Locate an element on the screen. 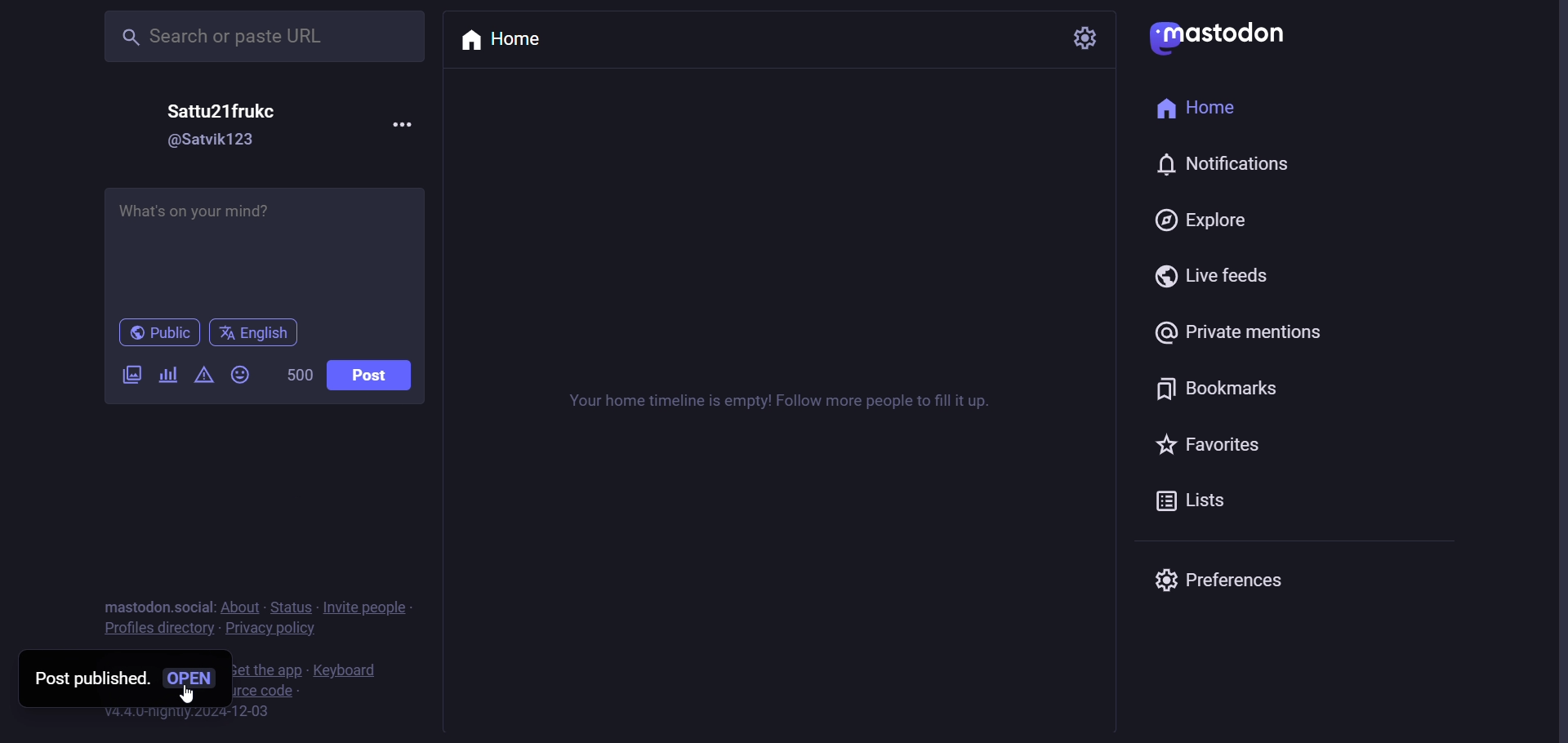 Image resolution: width=1568 pixels, height=743 pixels. home is located at coordinates (505, 43).